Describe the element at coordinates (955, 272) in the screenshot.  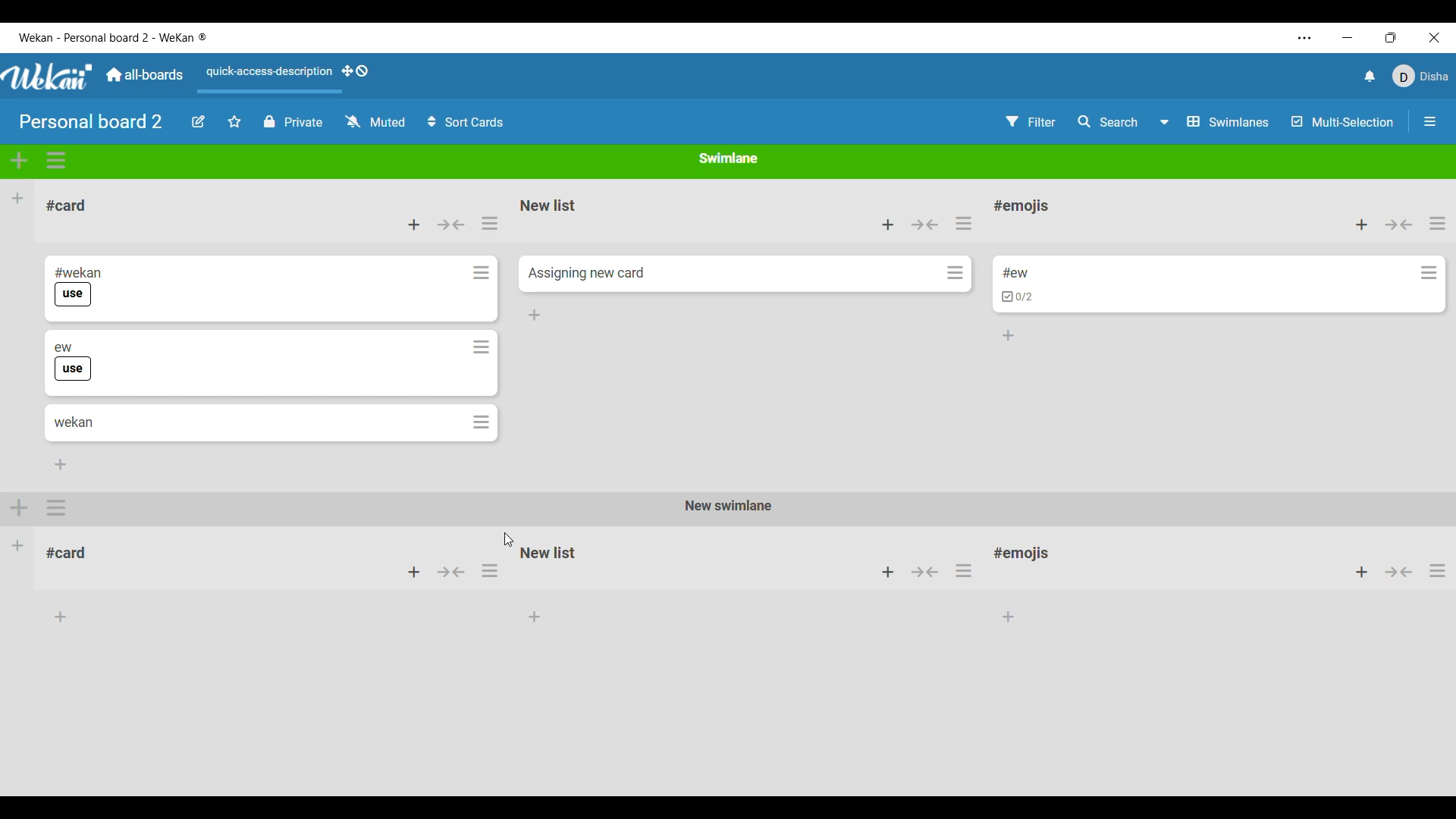
I see `Card actions` at that location.